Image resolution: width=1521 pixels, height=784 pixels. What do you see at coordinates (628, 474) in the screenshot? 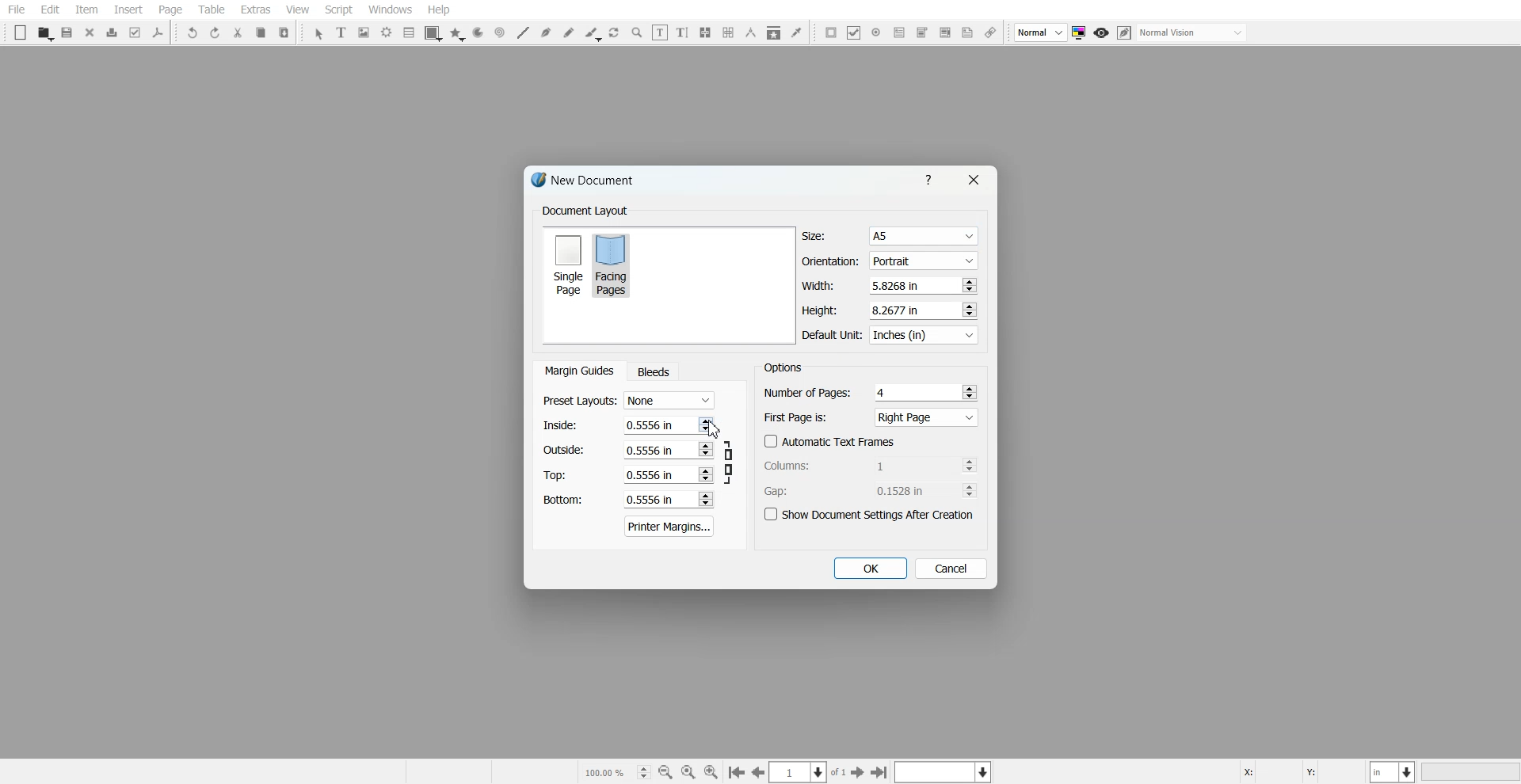
I see `Top margin adjuster` at bounding box center [628, 474].